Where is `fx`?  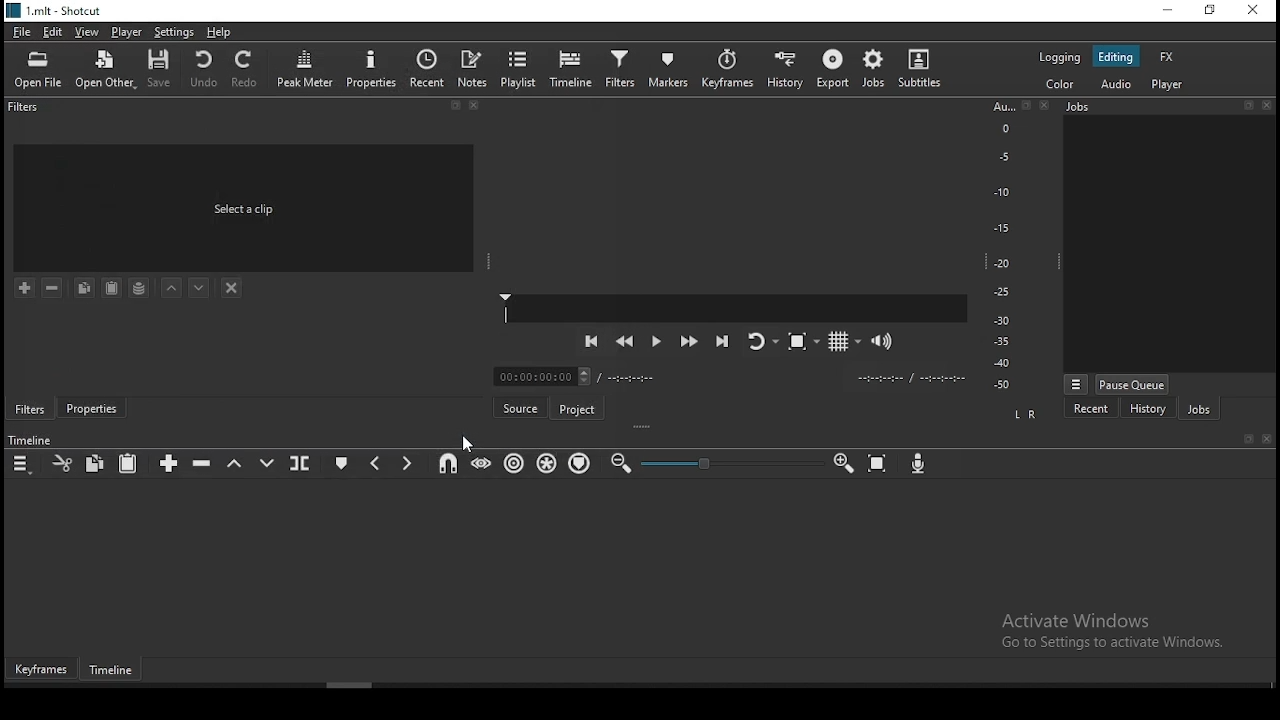 fx is located at coordinates (1167, 56).